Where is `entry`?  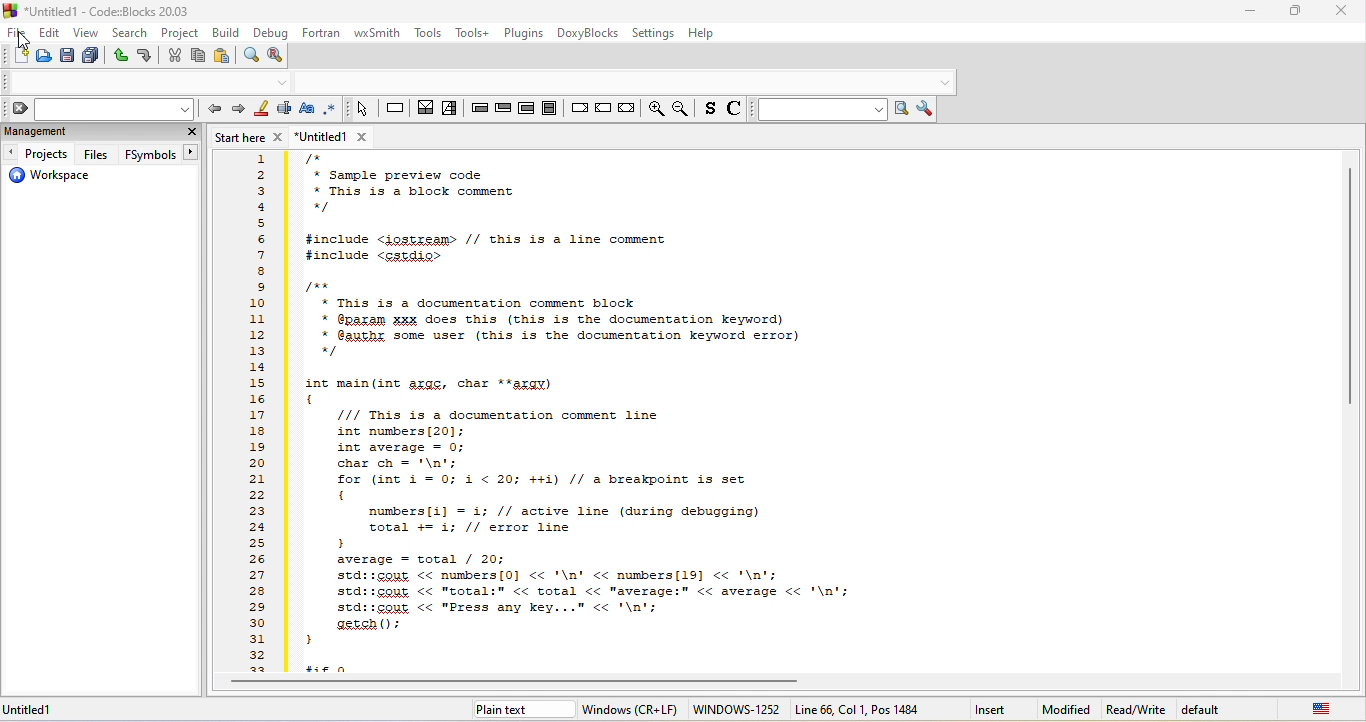
entry is located at coordinates (480, 111).